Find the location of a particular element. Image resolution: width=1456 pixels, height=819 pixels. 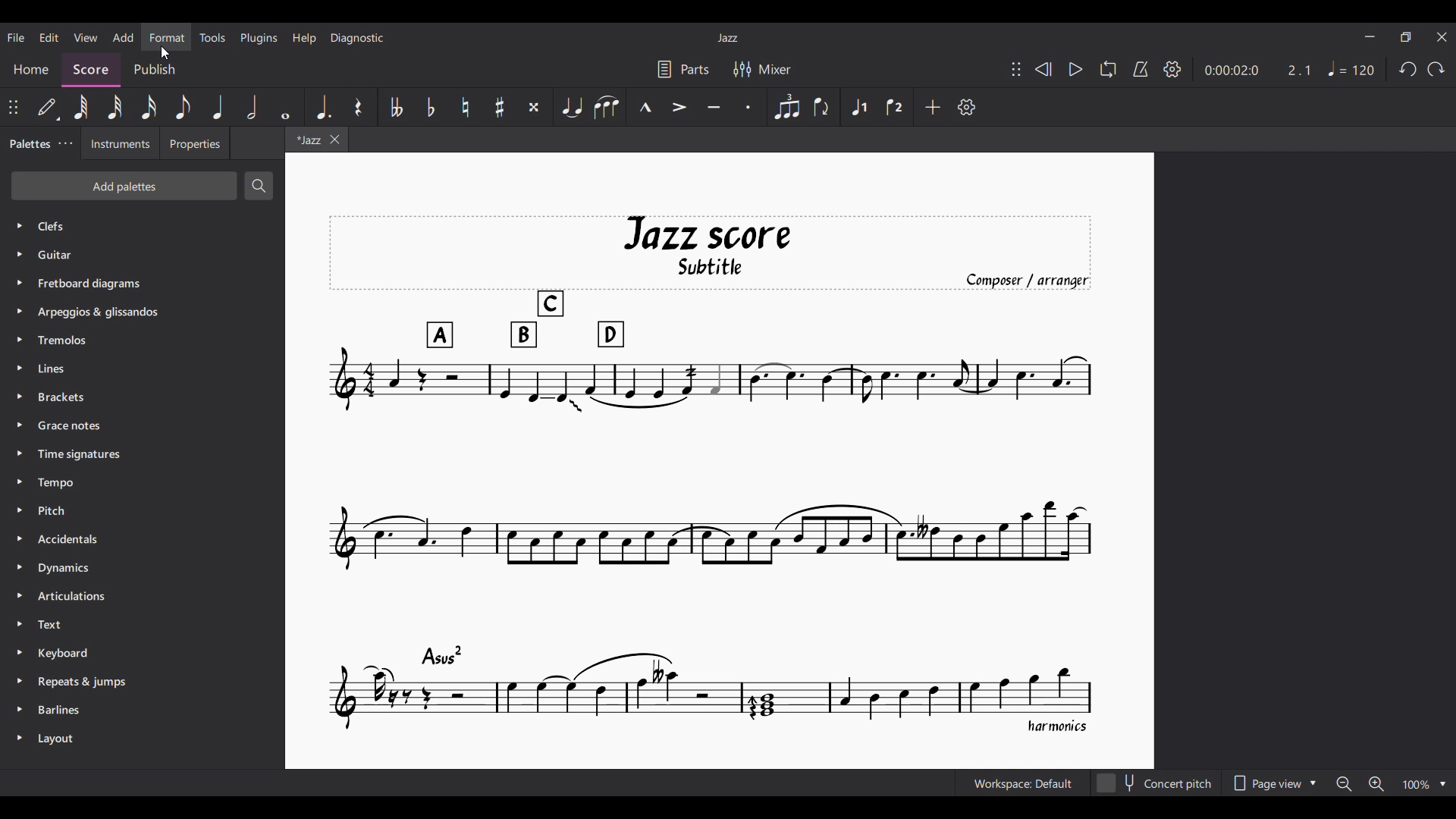

Instruments is located at coordinates (119, 143).